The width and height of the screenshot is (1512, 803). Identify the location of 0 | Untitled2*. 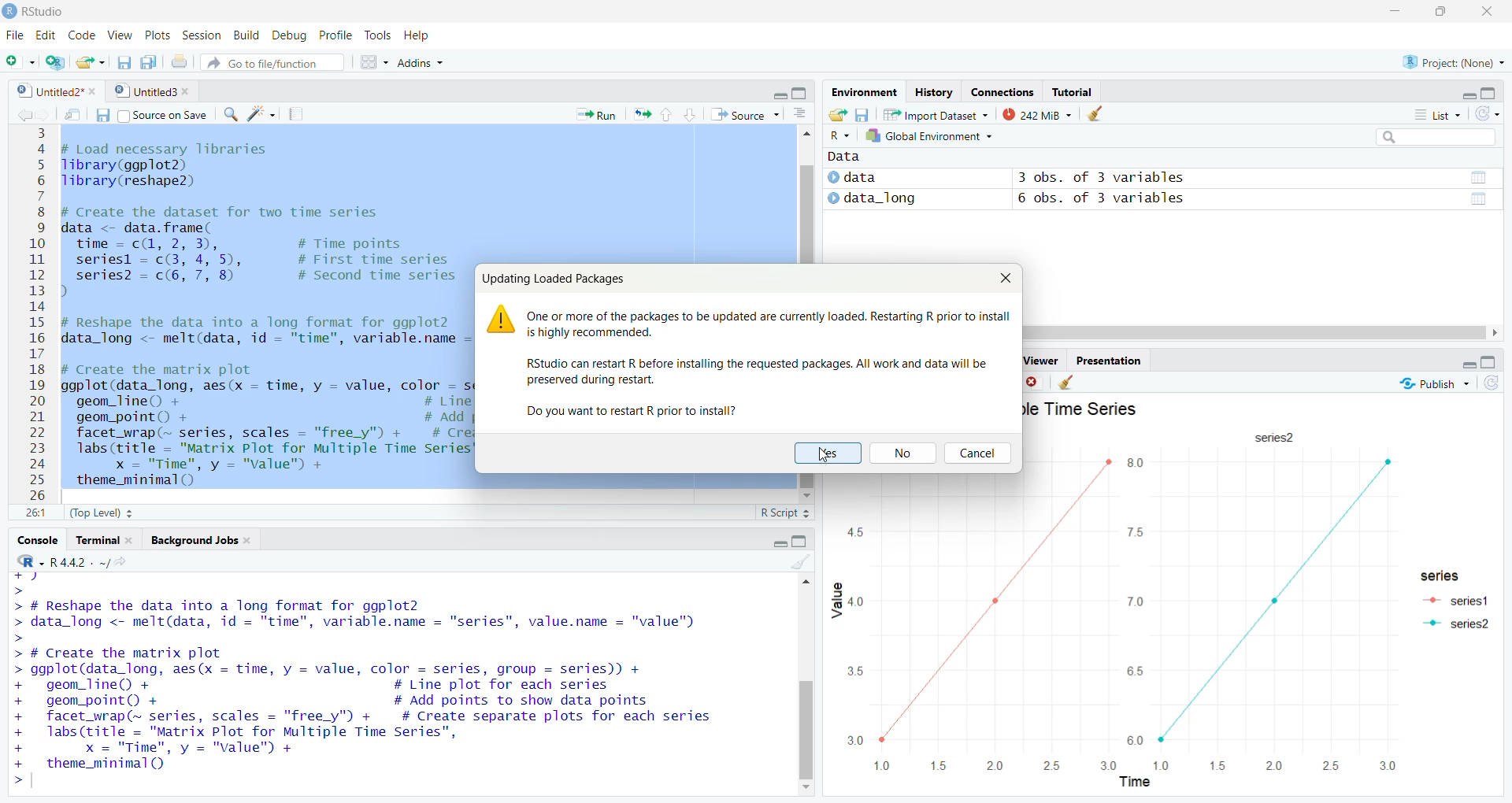
(47, 91).